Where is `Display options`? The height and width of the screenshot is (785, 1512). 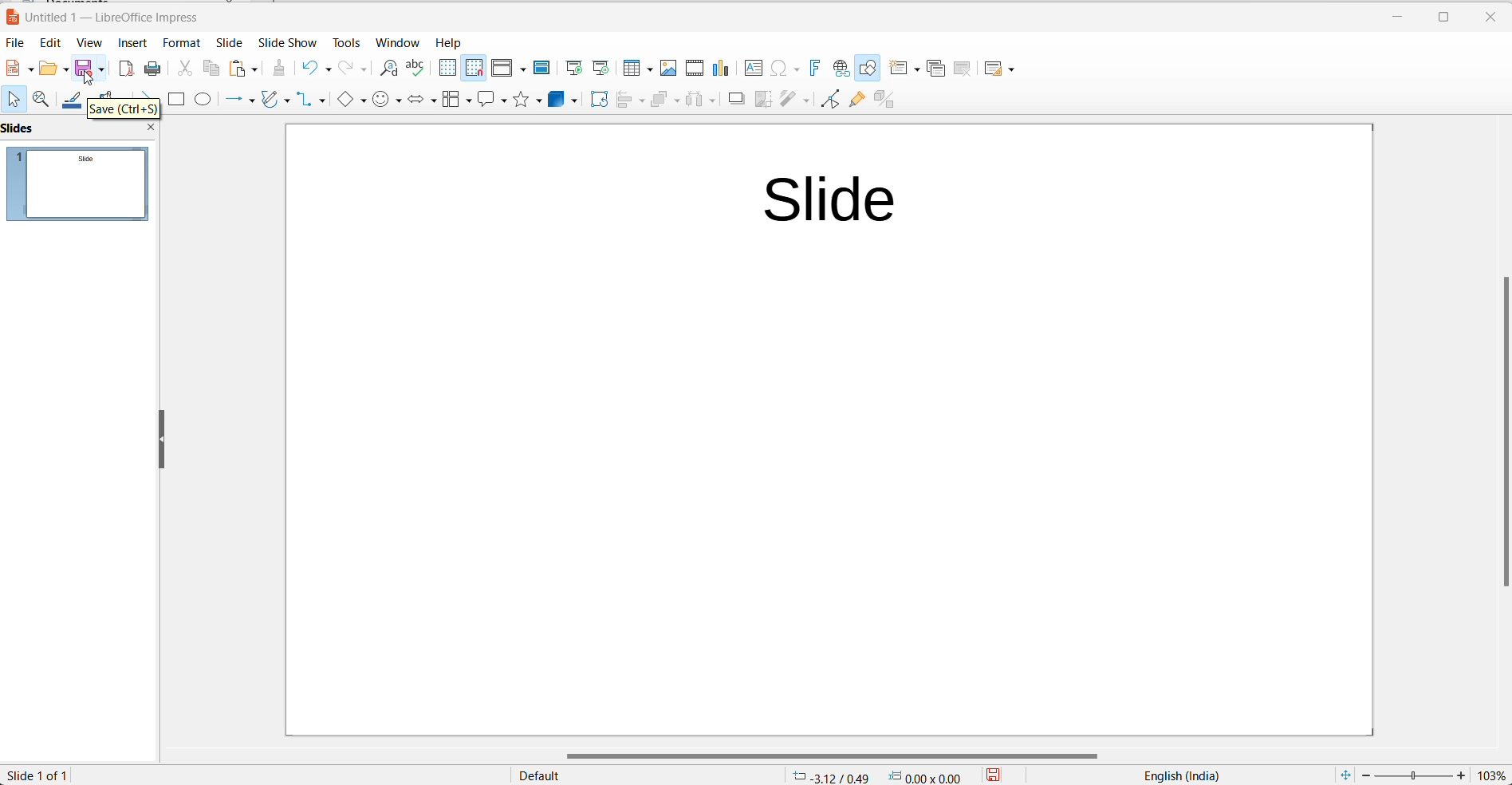
Display options is located at coordinates (508, 70).